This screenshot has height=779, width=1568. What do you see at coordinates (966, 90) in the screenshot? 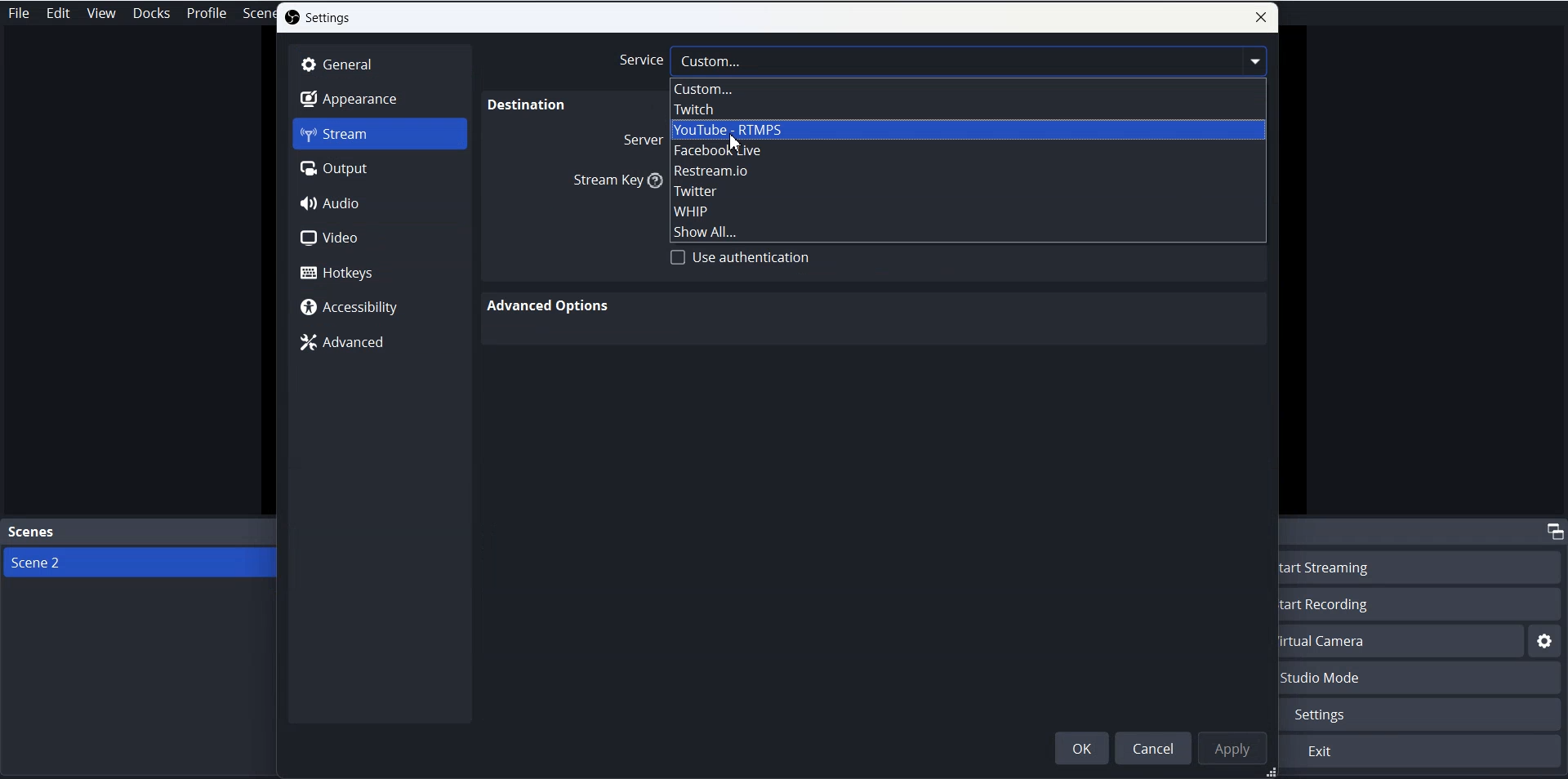
I see `Custom` at bounding box center [966, 90].